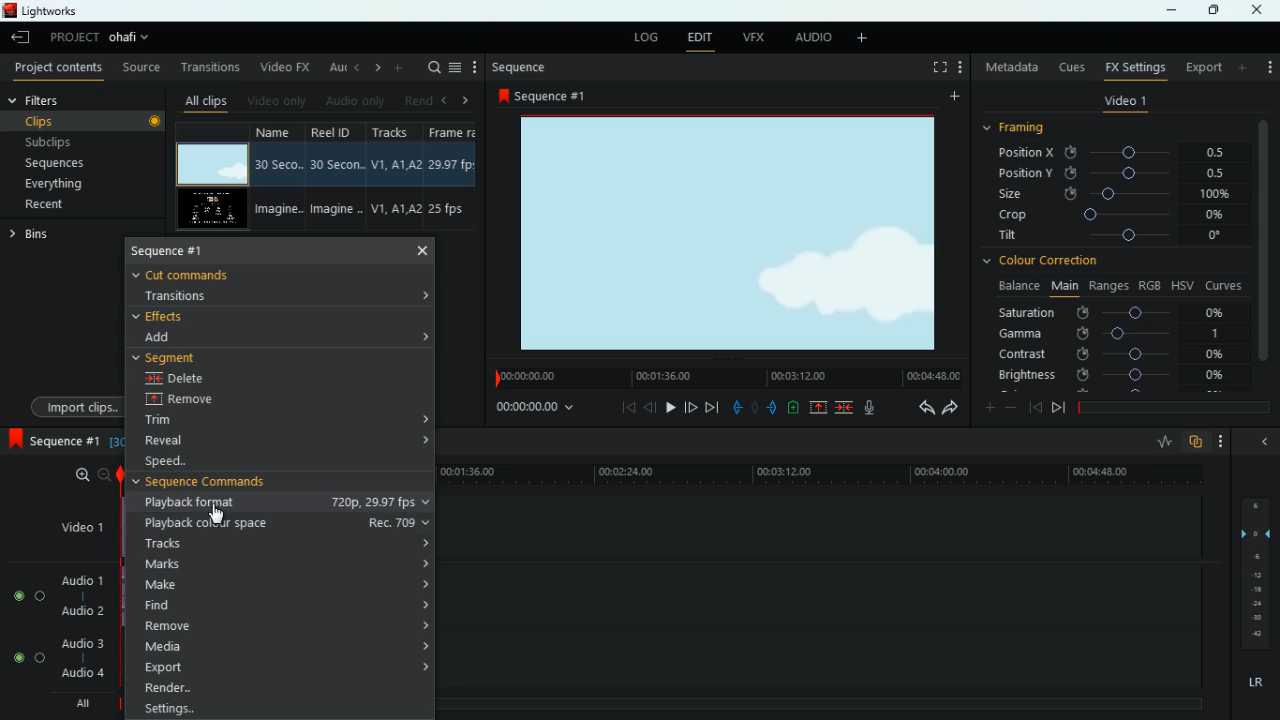 The image size is (1280, 720). I want to click on full screen, so click(936, 66).